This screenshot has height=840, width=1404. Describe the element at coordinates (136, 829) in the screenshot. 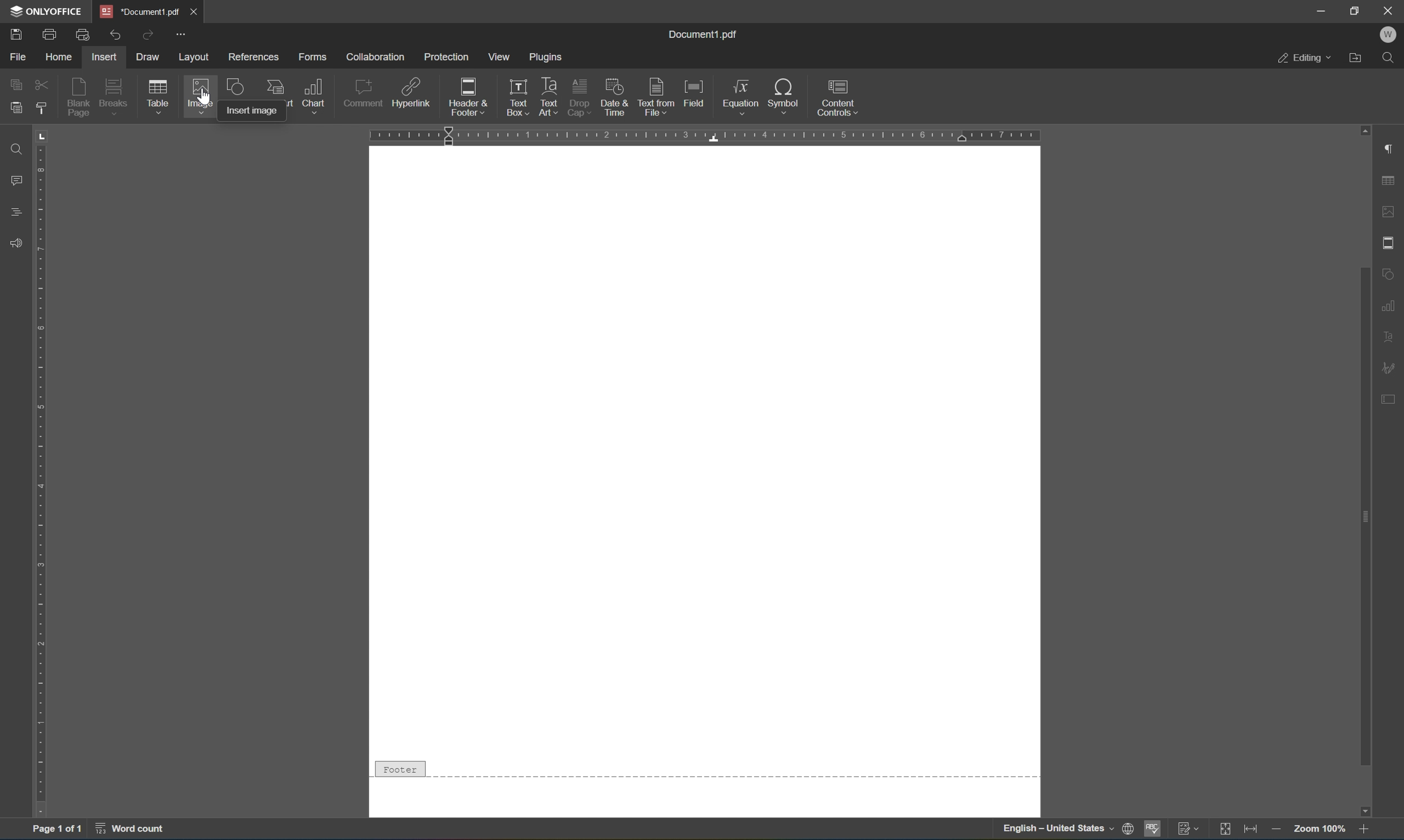

I see `word count` at that location.